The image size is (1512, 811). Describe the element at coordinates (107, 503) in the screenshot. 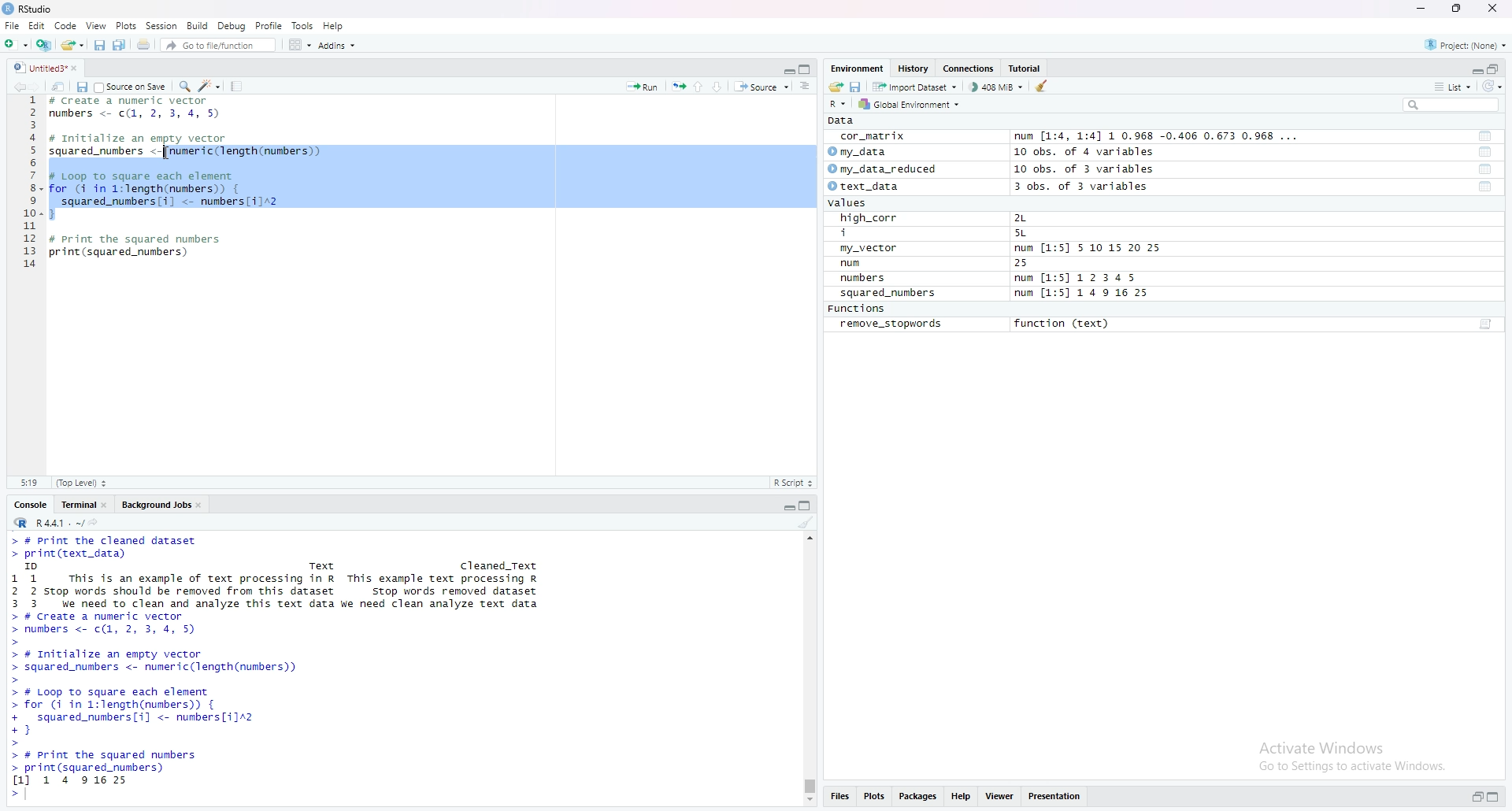

I see `close` at that location.